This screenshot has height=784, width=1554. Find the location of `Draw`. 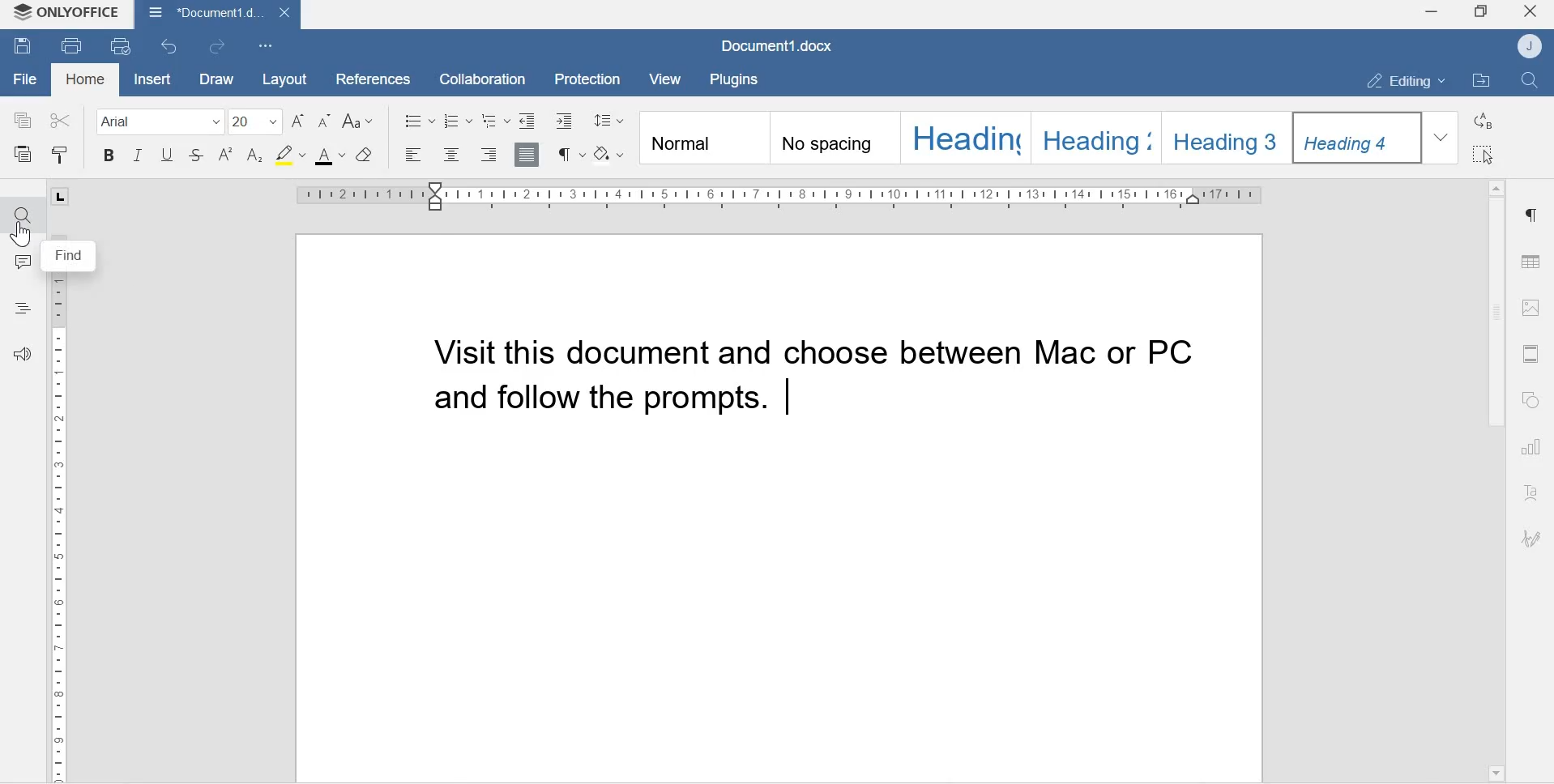

Draw is located at coordinates (214, 79).